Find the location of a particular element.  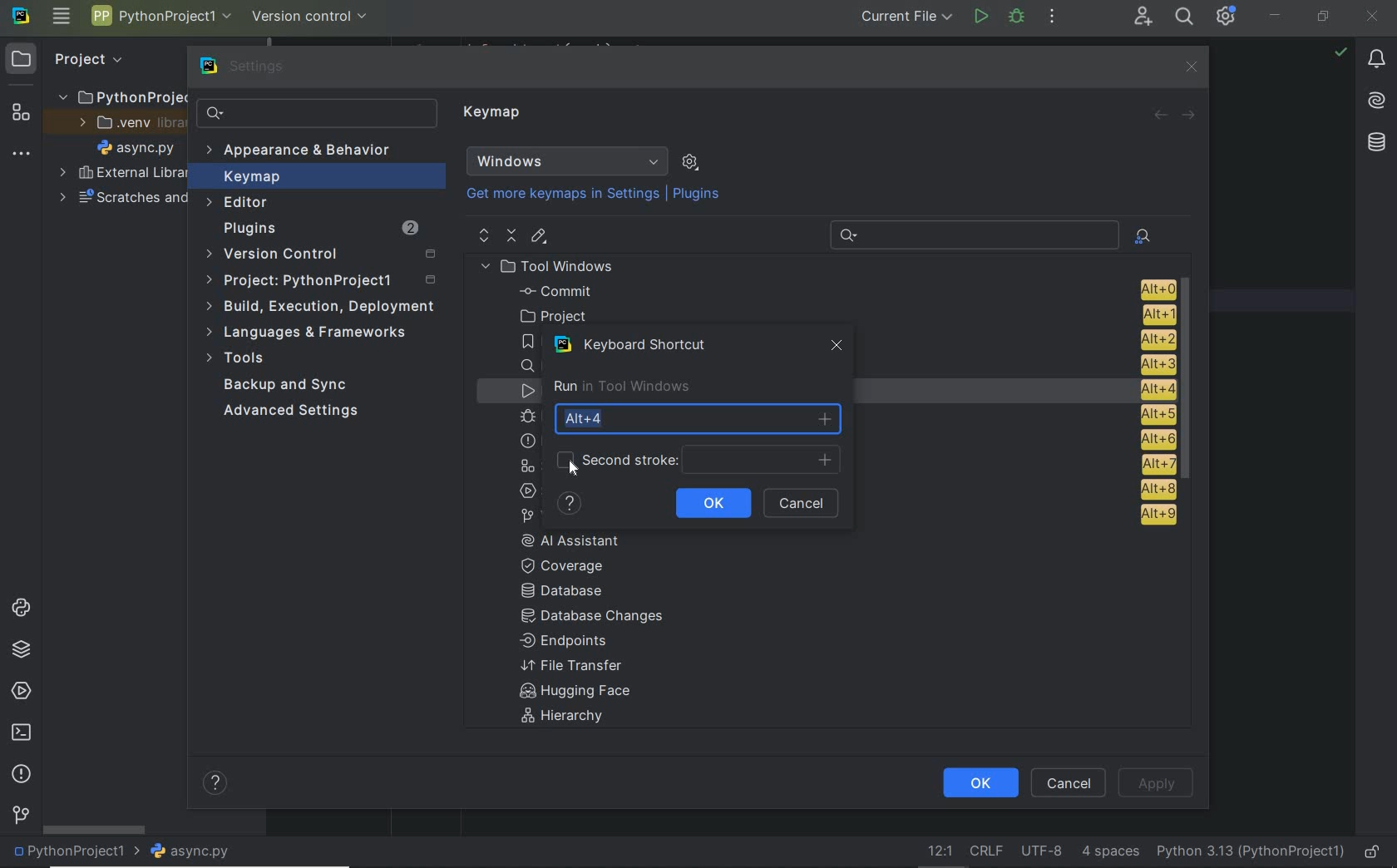

find actions by shortcut is located at coordinates (1143, 236).